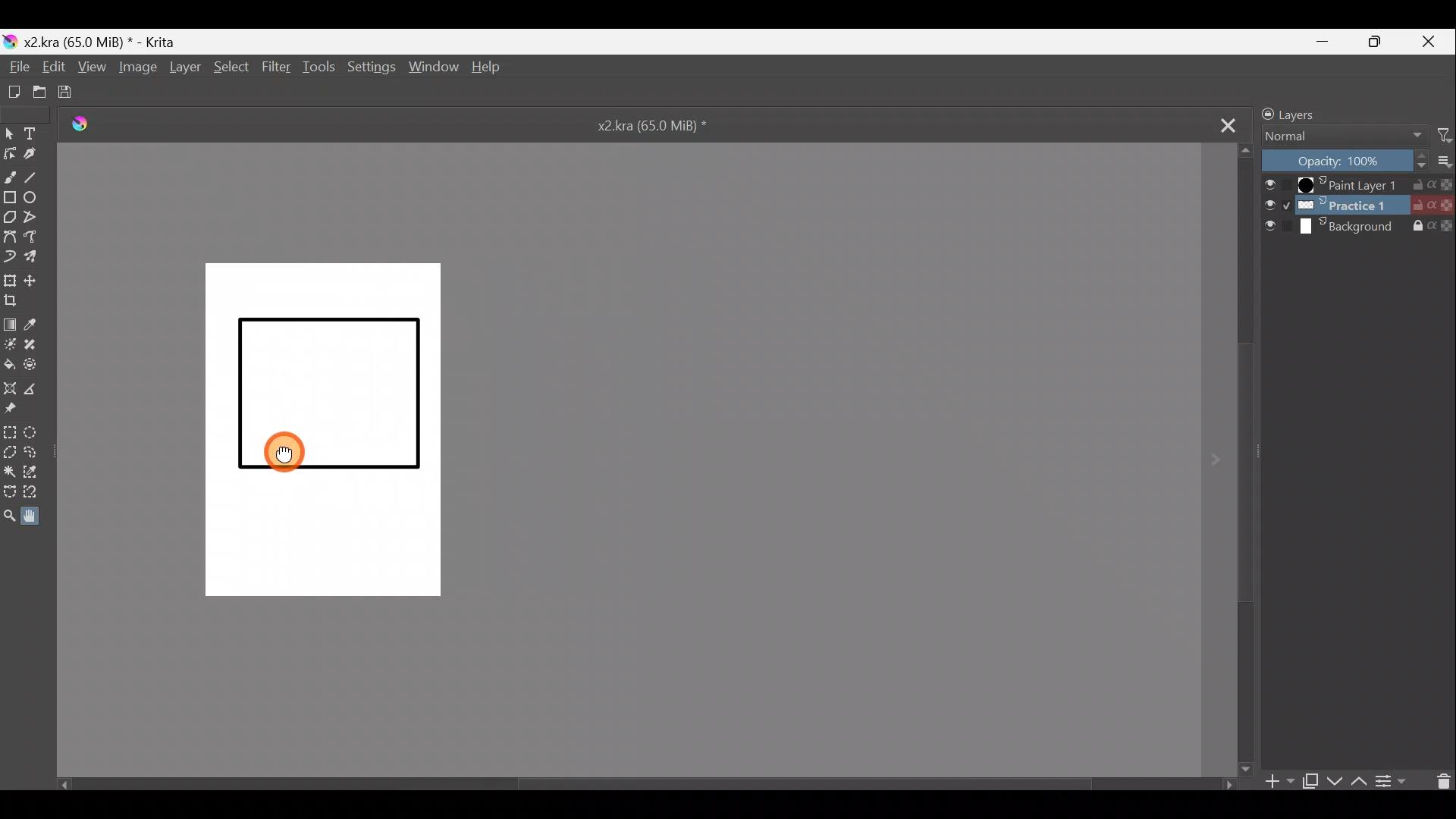  Describe the element at coordinates (96, 42) in the screenshot. I see `) x2kra (65.0 MiB) * - Krita` at that location.